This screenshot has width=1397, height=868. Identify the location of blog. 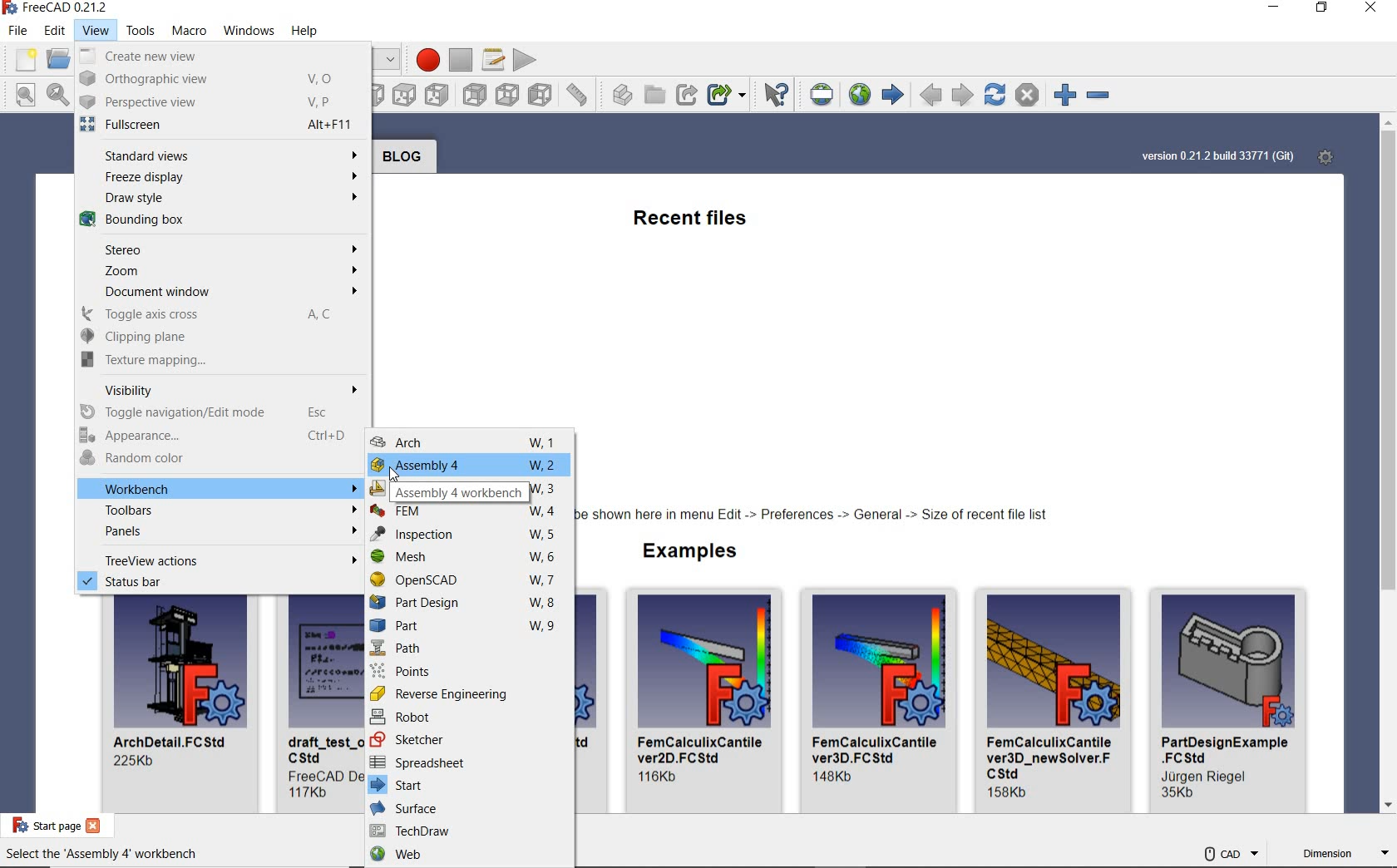
(400, 156).